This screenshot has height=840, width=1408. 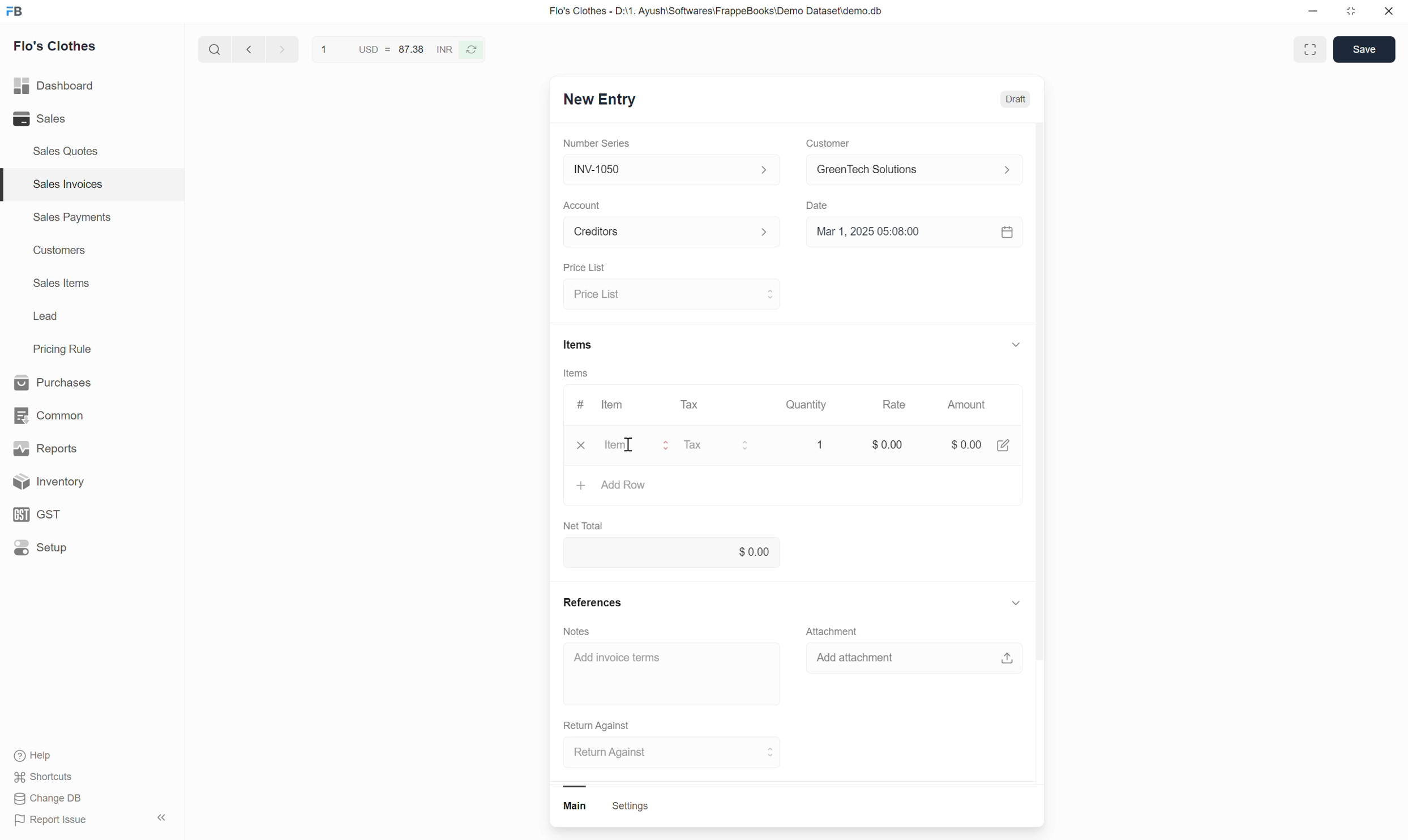 I want to click on Tax, so click(x=691, y=408).